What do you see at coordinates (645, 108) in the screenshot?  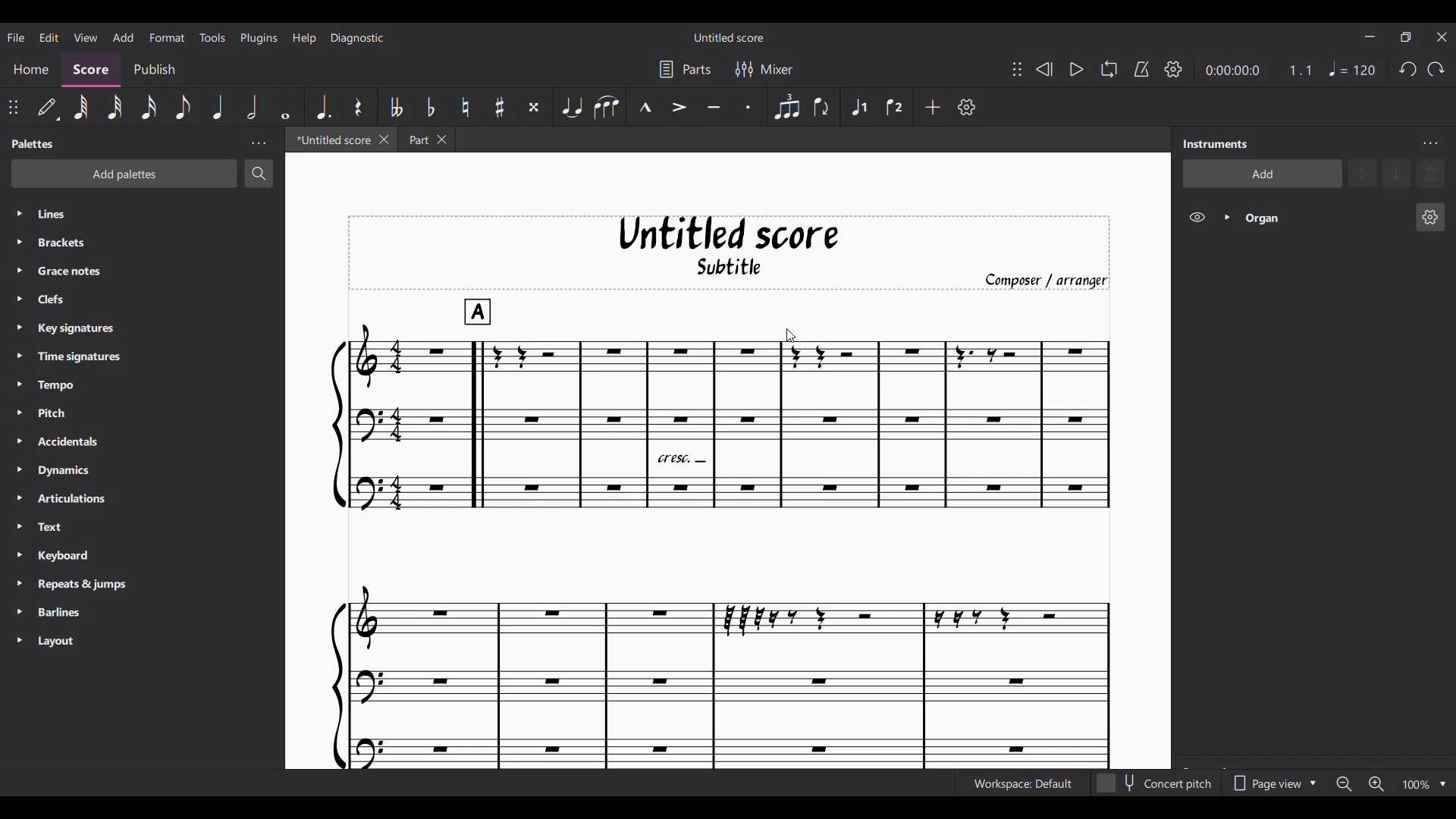 I see `Marcato` at bounding box center [645, 108].